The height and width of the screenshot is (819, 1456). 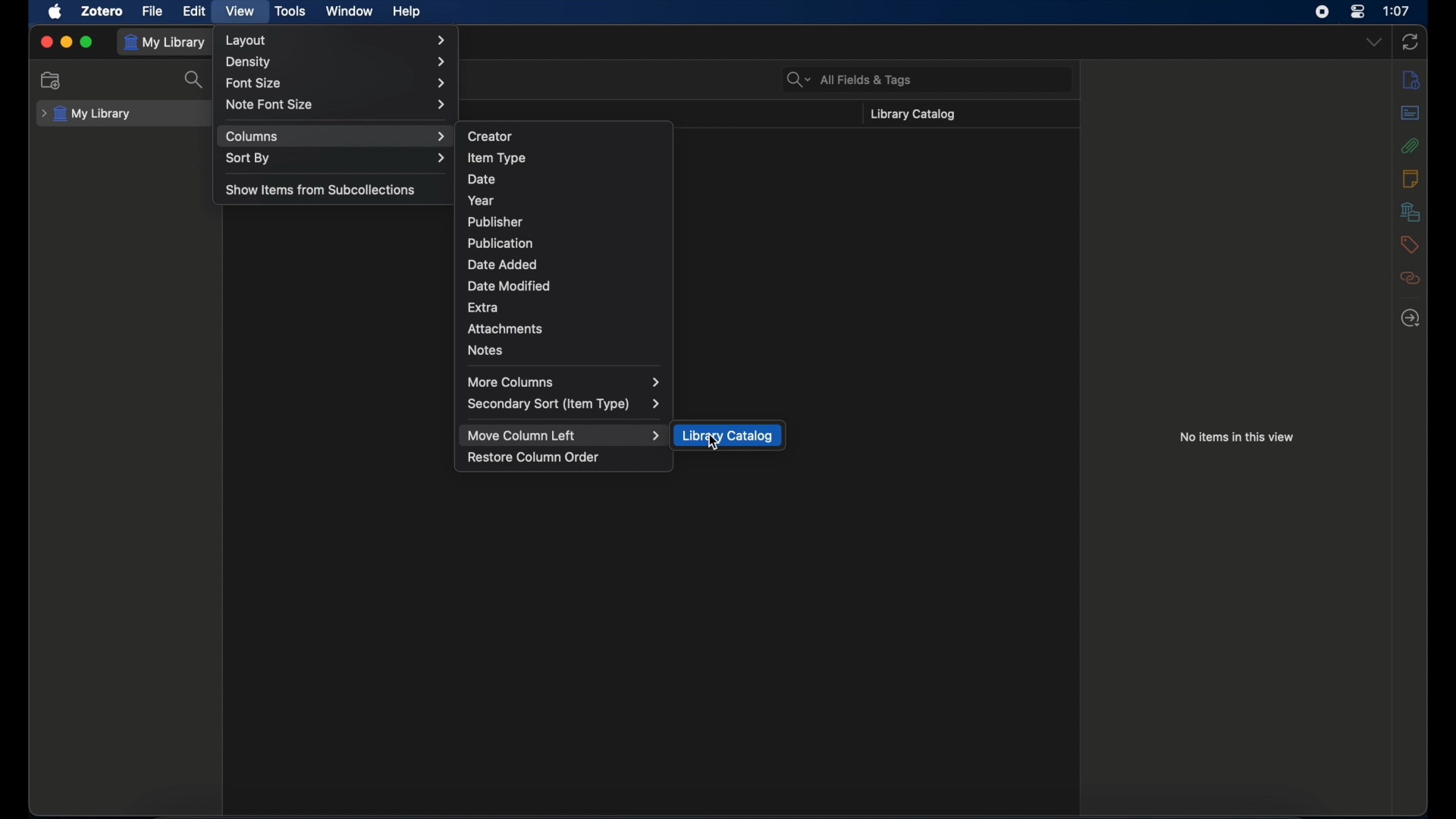 I want to click on locate, so click(x=1411, y=319).